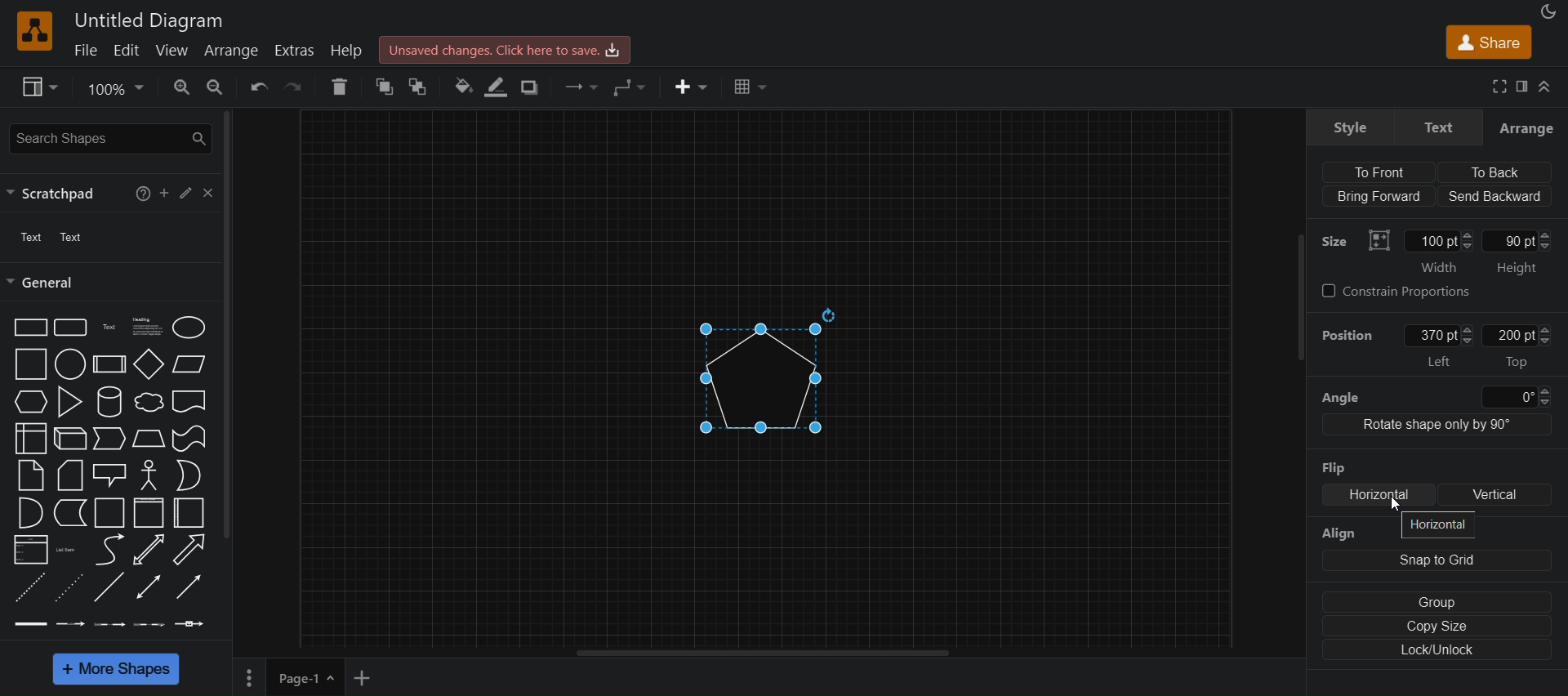 The image size is (1568, 696). What do you see at coordinates (70, 513) in the screenshot?
I see `Data storage` at bounding box center [70, 513].